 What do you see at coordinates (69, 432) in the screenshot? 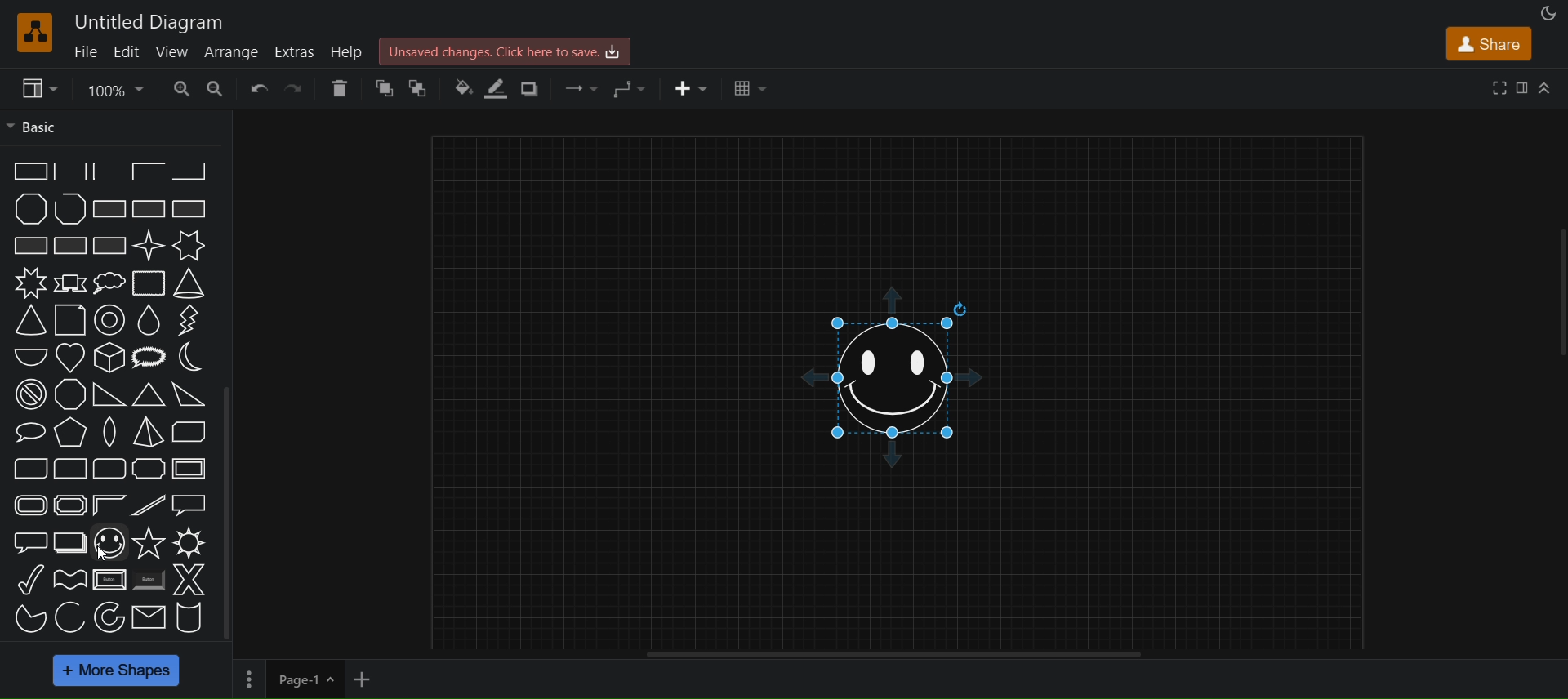
I see `pyramid` at bounding box center [69, 432].